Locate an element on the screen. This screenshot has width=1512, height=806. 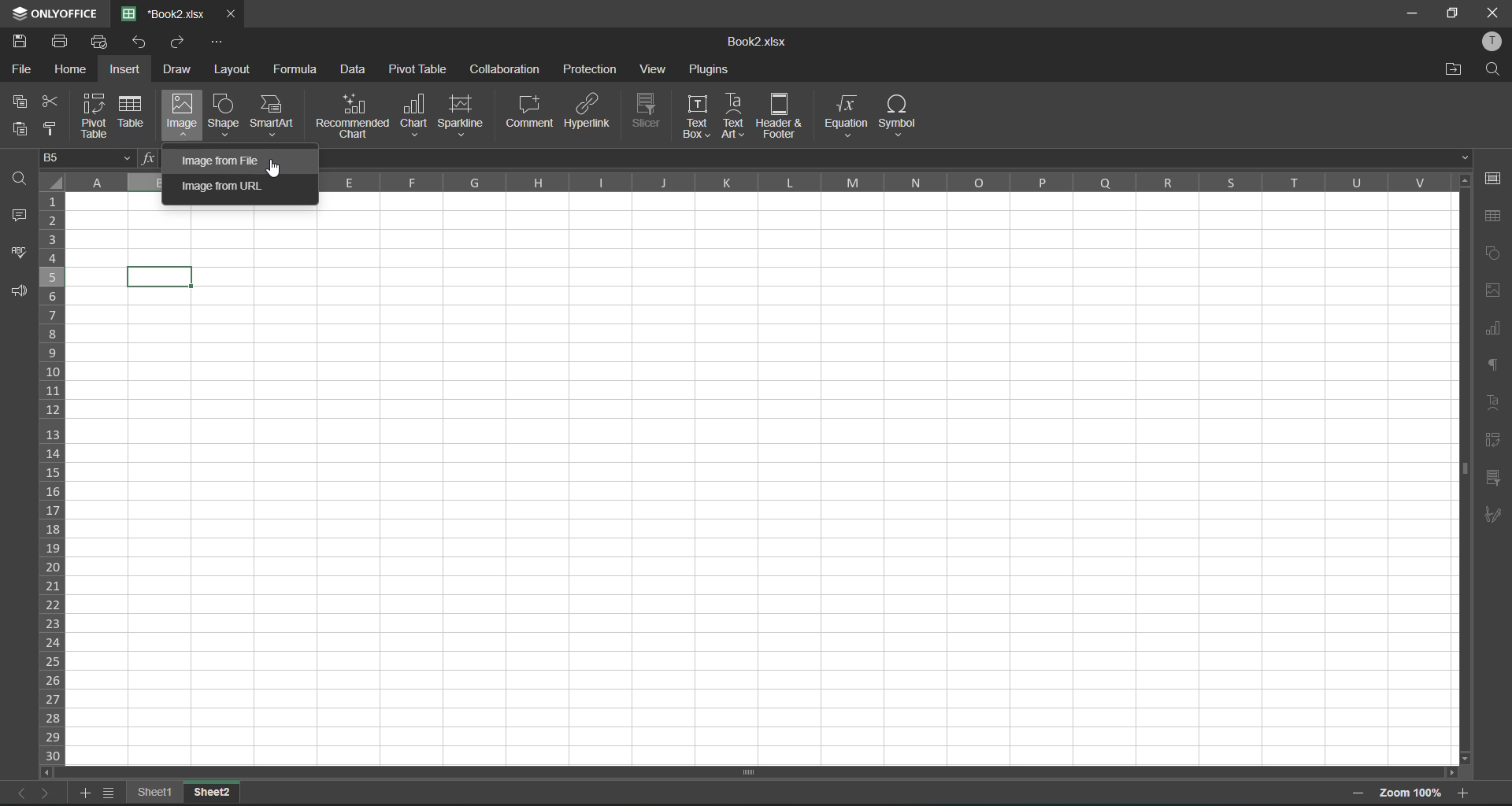
layout is located at coordinates (232, 70).